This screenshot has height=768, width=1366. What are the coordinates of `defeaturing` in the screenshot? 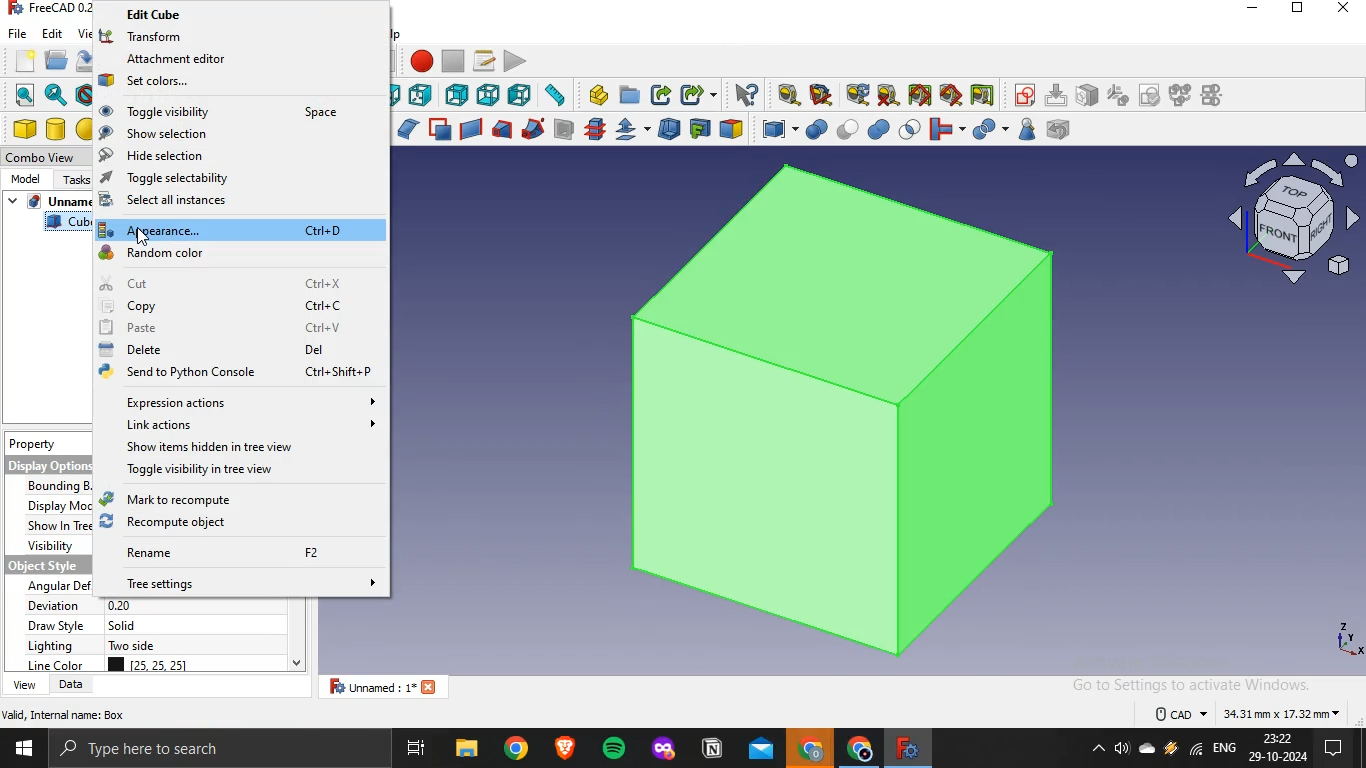 It's located at (1063, 129).